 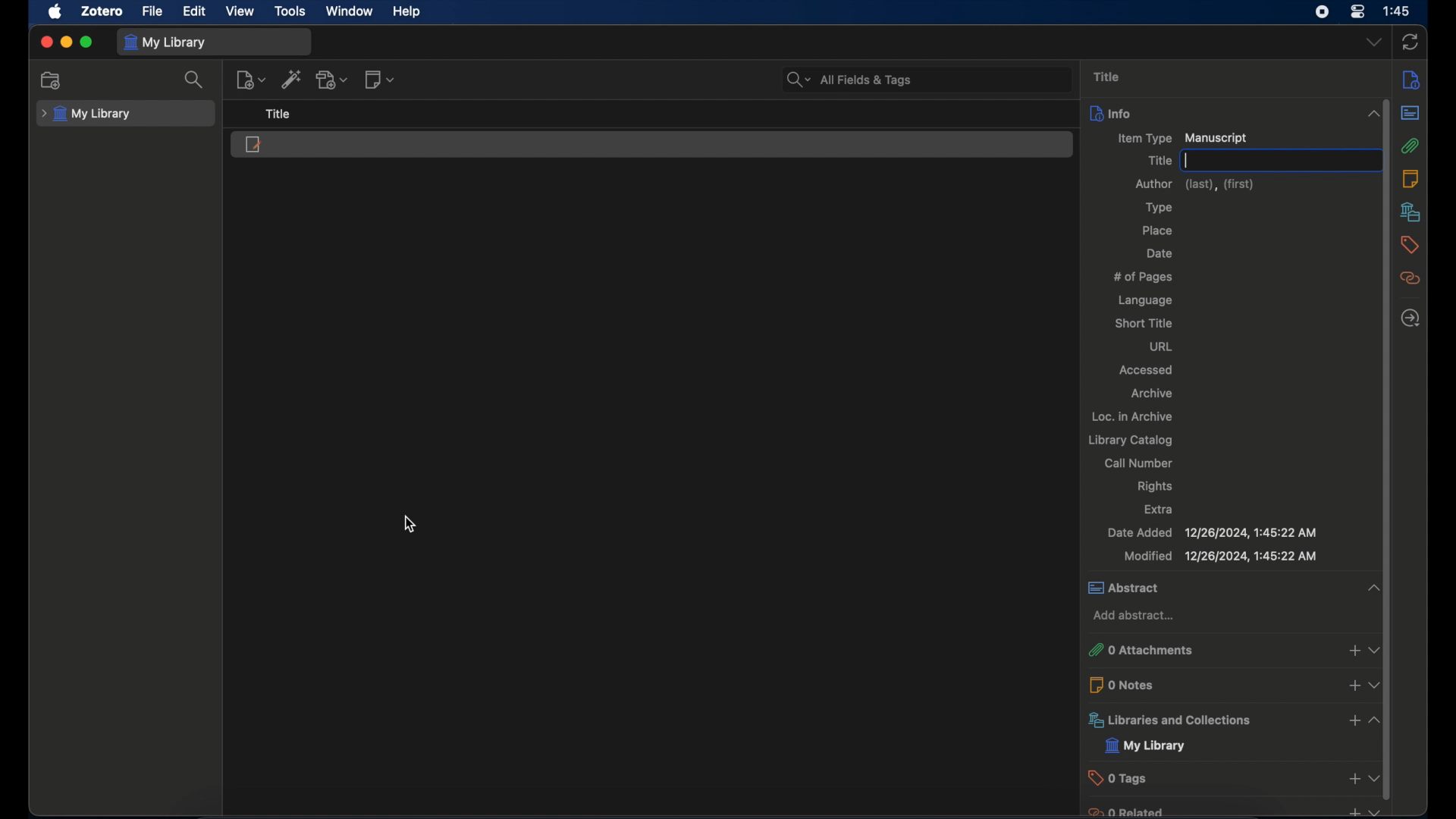 What do you see at coordinates (1160, 254) in the screenshot?
I see `date` at bounding box center [1160, 254].